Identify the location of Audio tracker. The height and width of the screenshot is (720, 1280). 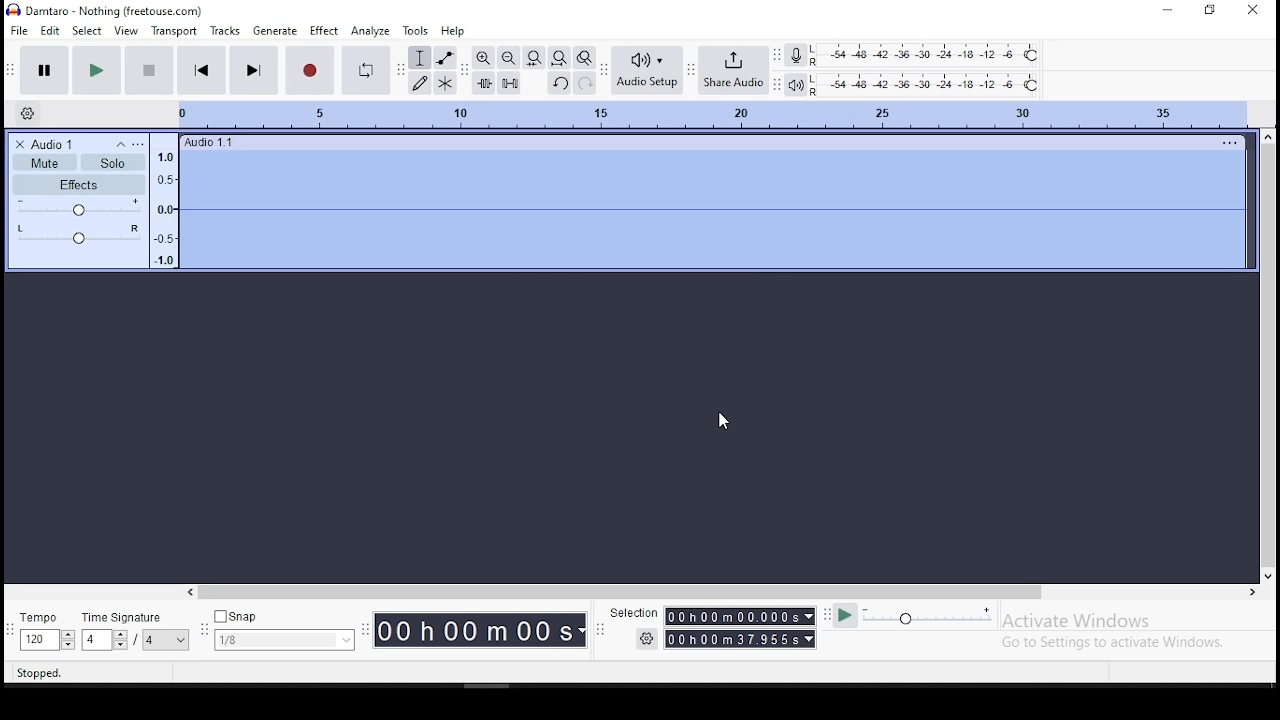
(165, 201).